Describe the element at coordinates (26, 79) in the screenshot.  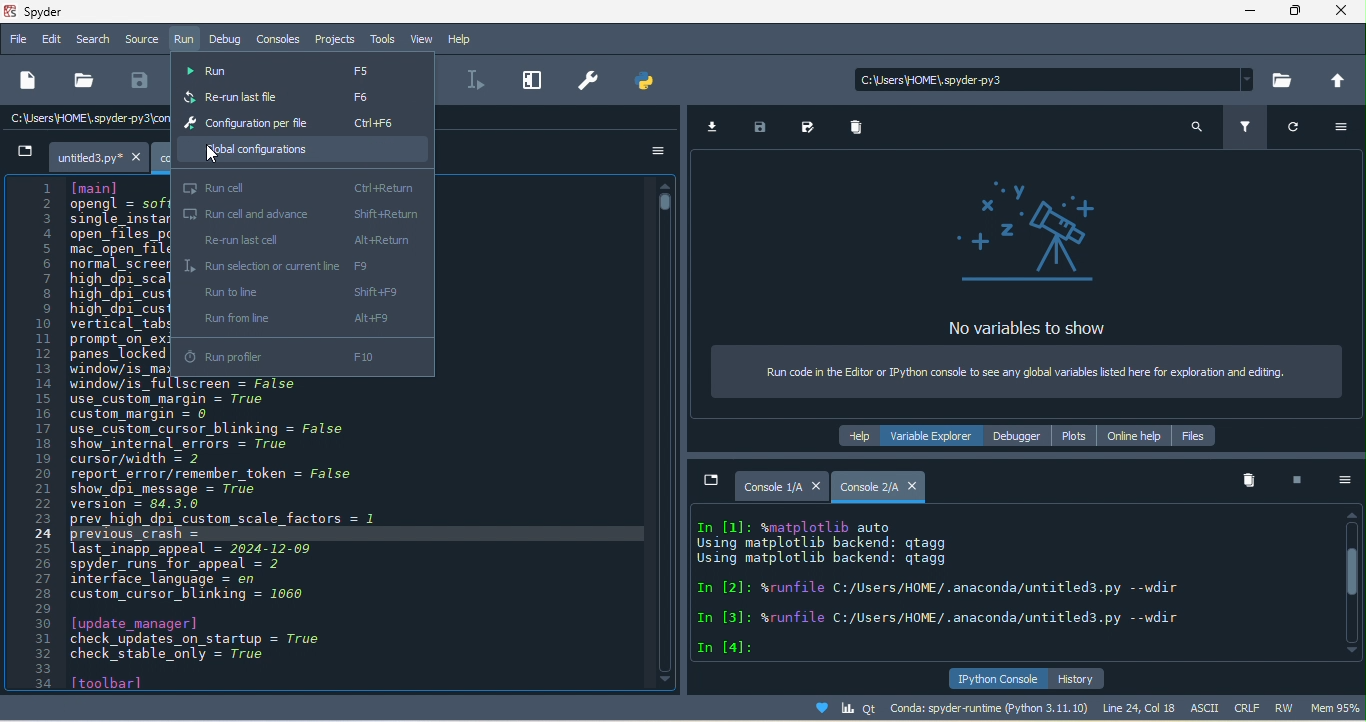
I see `new` at that location.